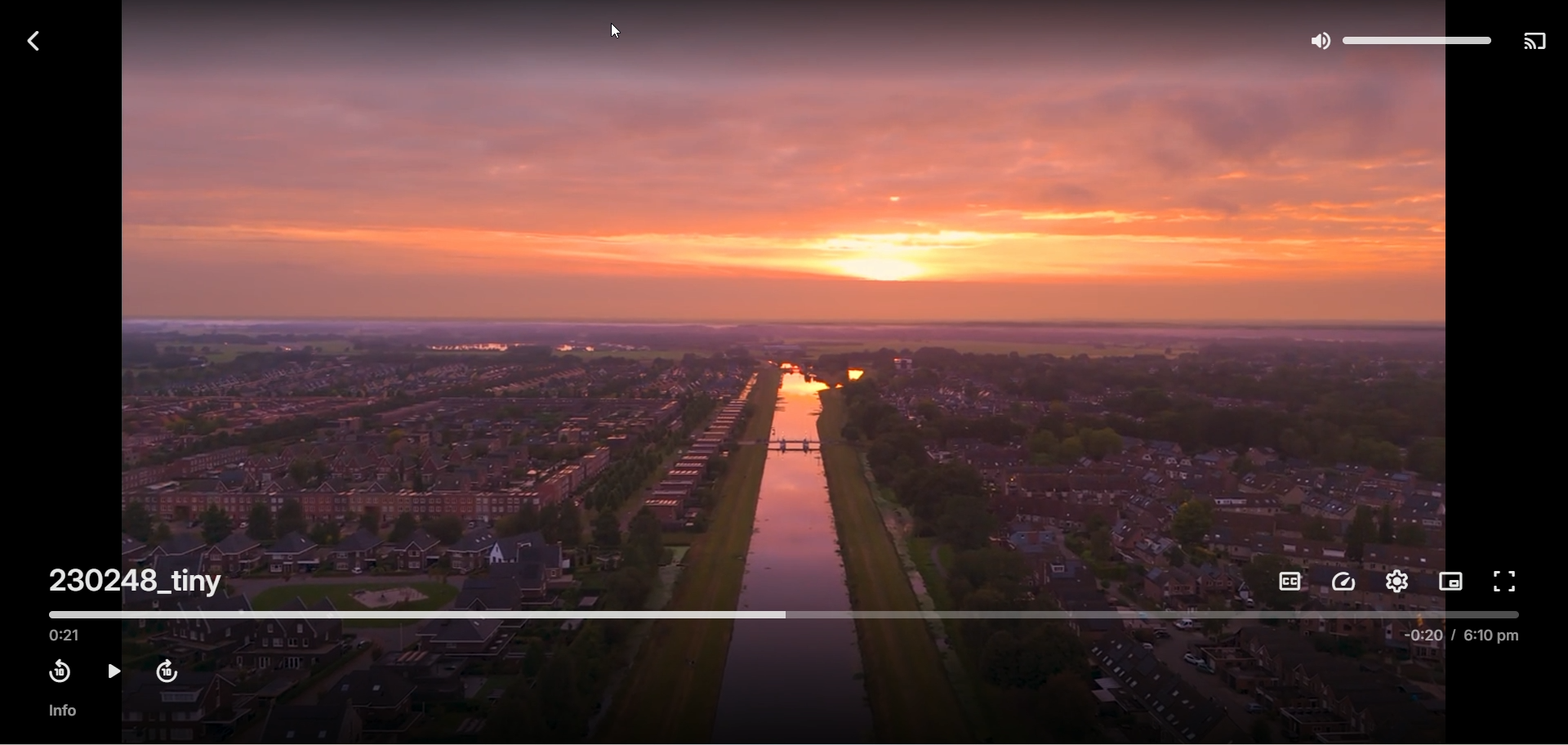 The image size is (1568, 745). I want to click on fast forward, so click(164, 673).